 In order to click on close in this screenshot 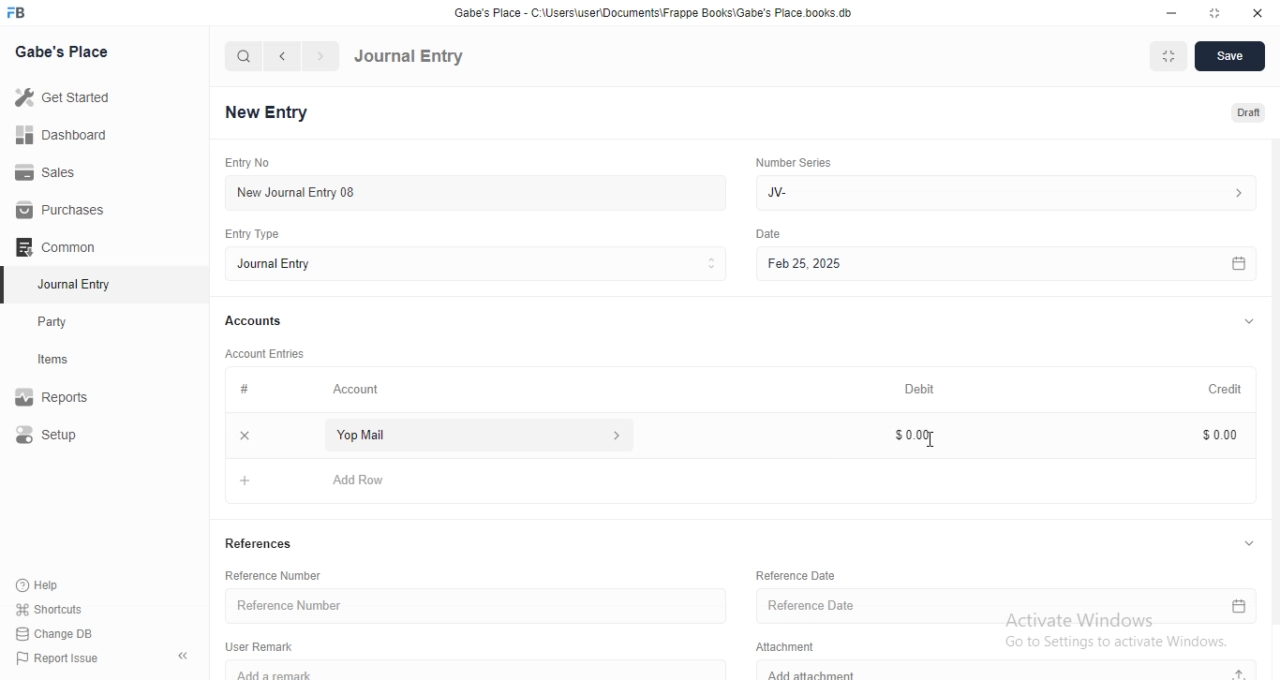, I will do `click(245, 435)`.